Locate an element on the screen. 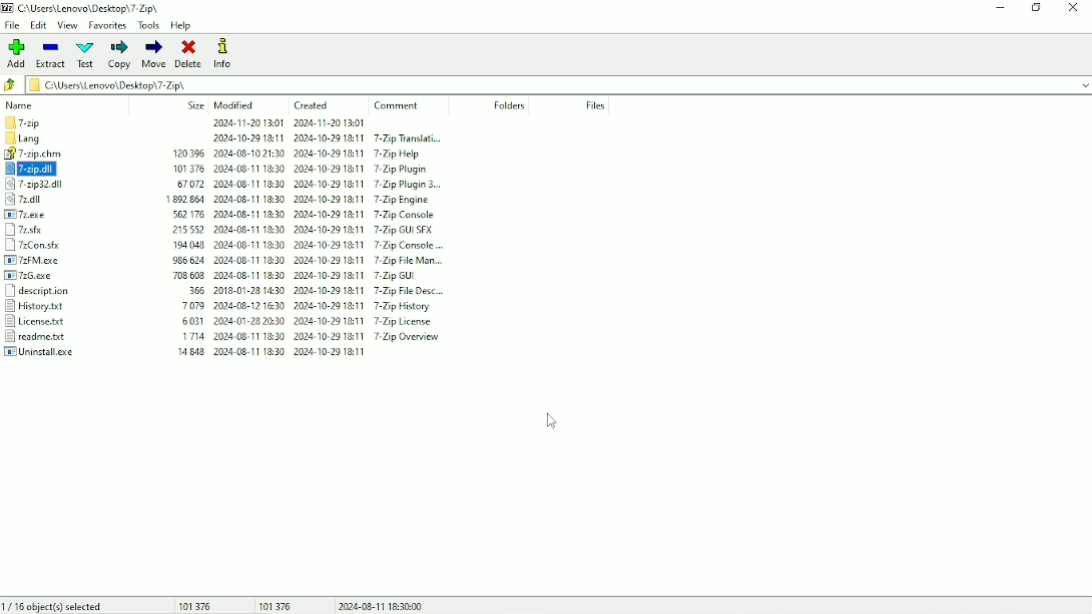 The image size is (1092, 614). Delete is located at coordinates (189, 54).